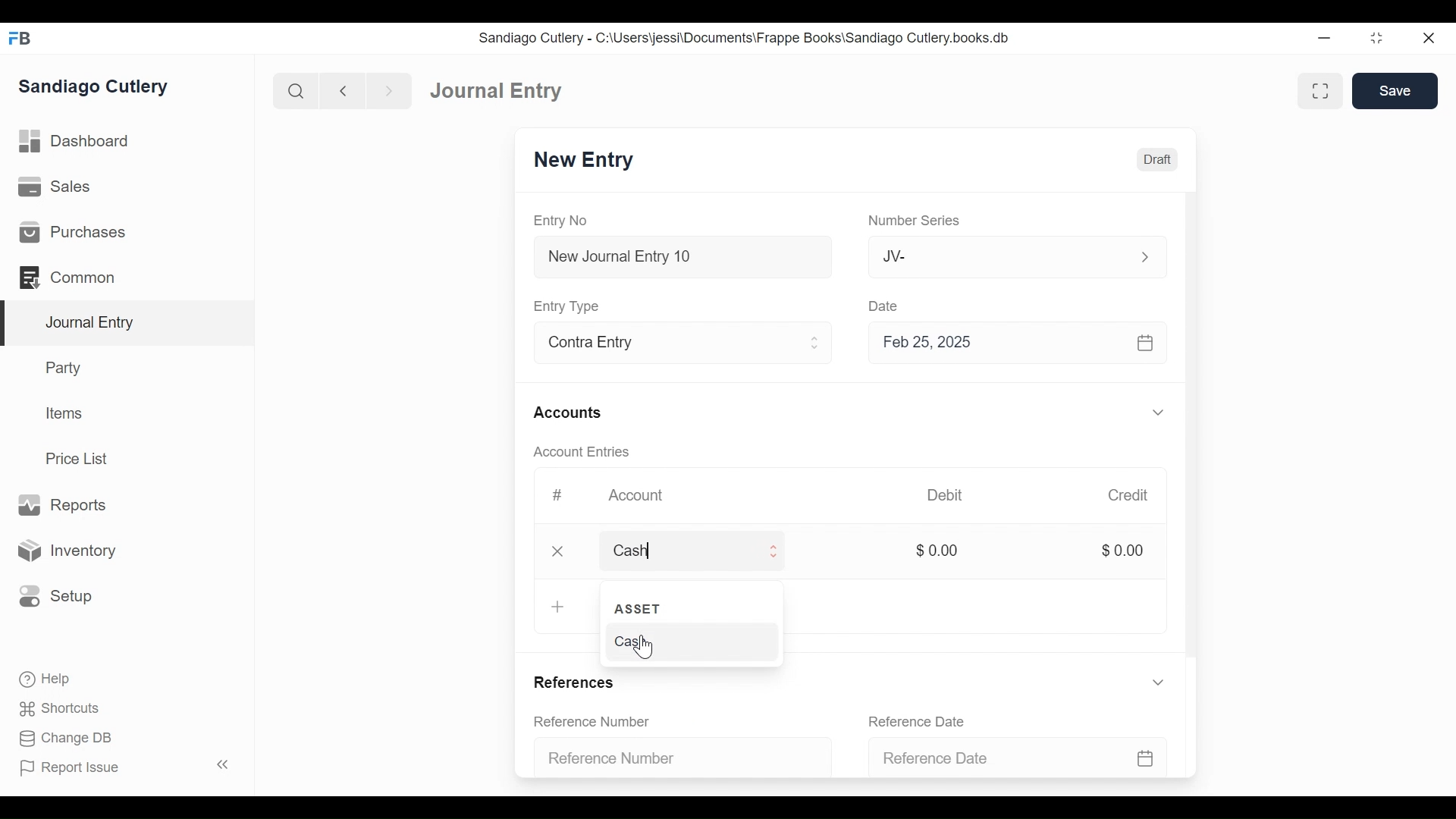  Describe the element at coordinates (73, 233) in the screenshot. I see `Purchases` at that location.